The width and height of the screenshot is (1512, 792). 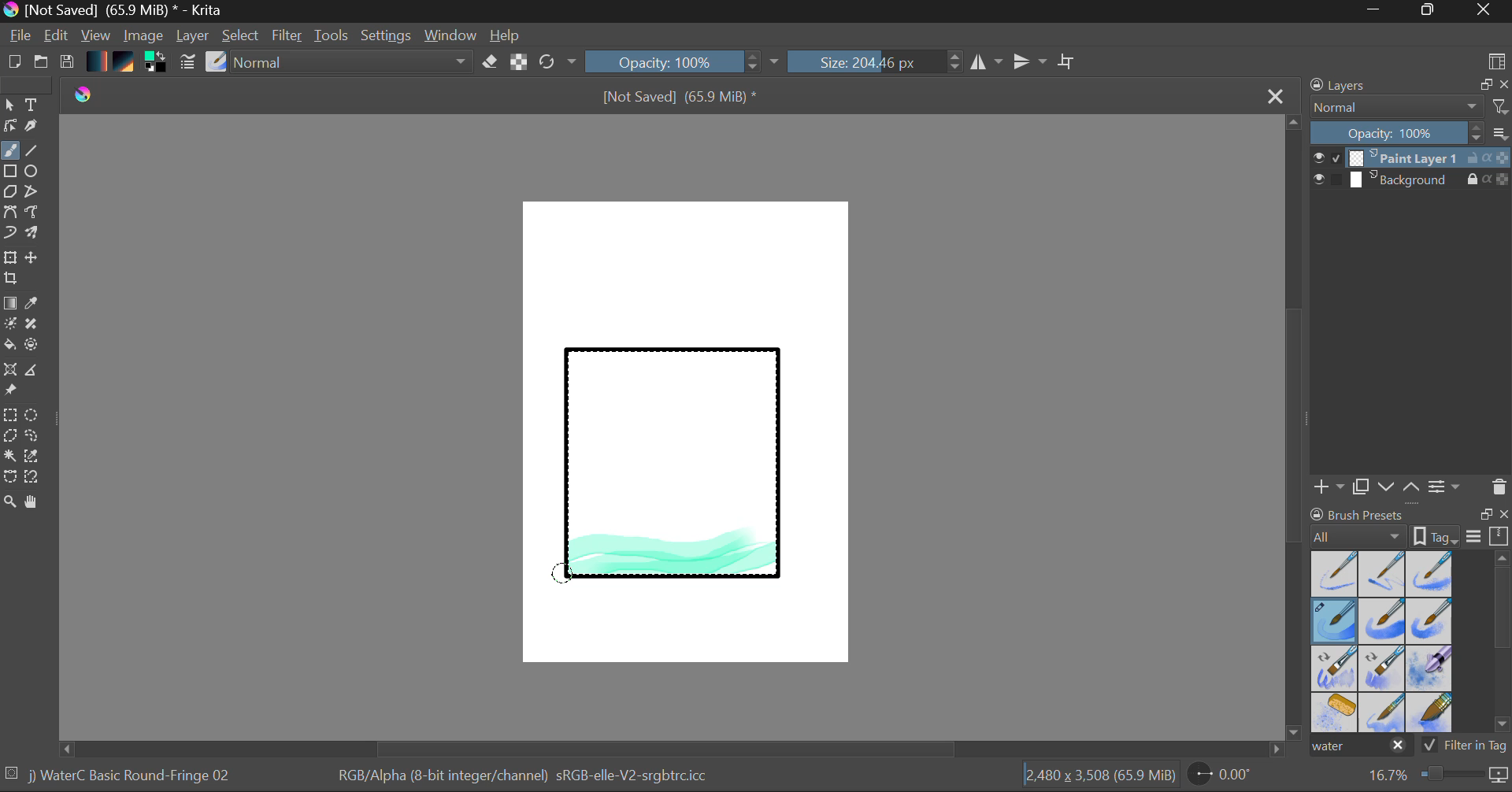 What do you see at coordinates (32, 103) in the screenshot?
I see `Text` at bounding box center [32, 103].